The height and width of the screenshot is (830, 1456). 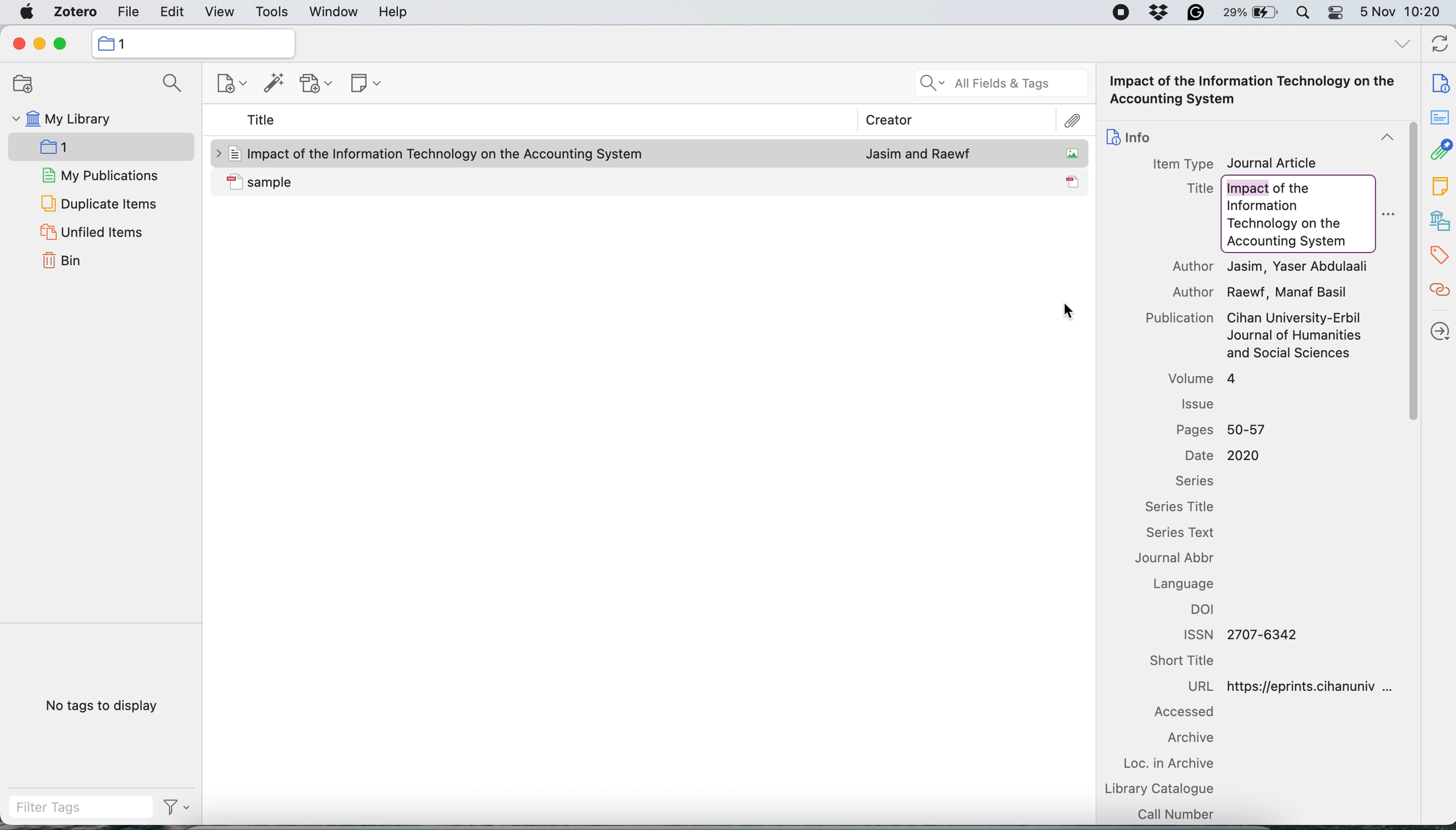 I want to click on all fields and tags, so click(x=998, y=83).